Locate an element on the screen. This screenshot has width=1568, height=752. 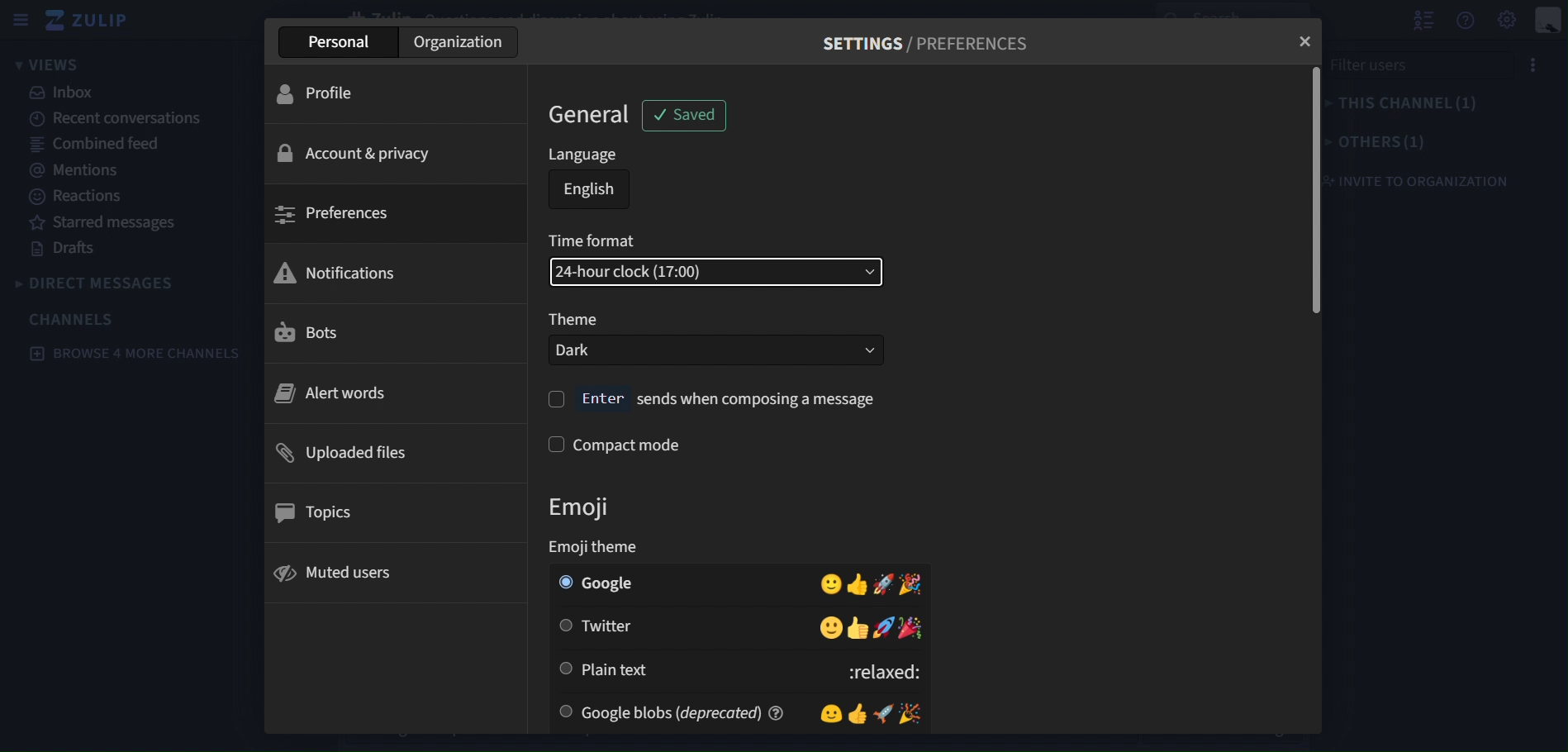
this channel(1) is located at coordinates (1407, 103).